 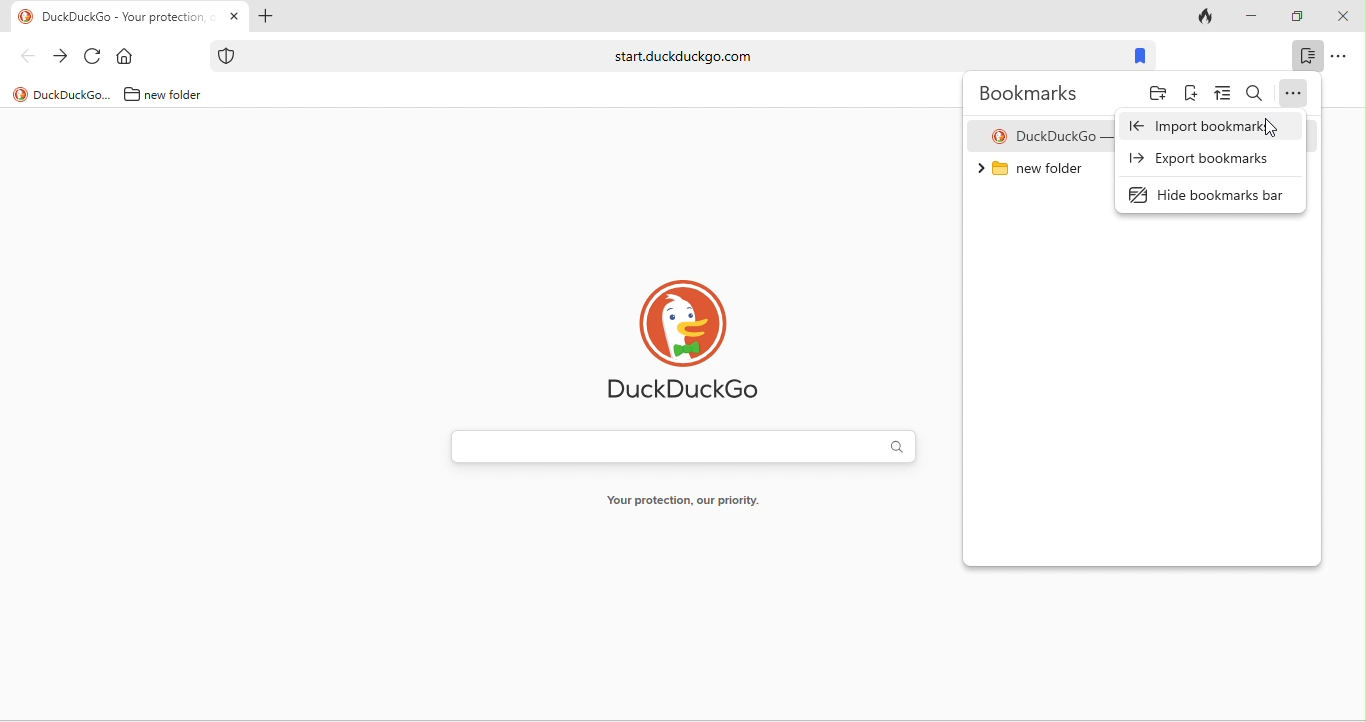 What do you see at coordinates (1342, 17) in the screenshot?
I see `close` at bounding box center [1342, 17].